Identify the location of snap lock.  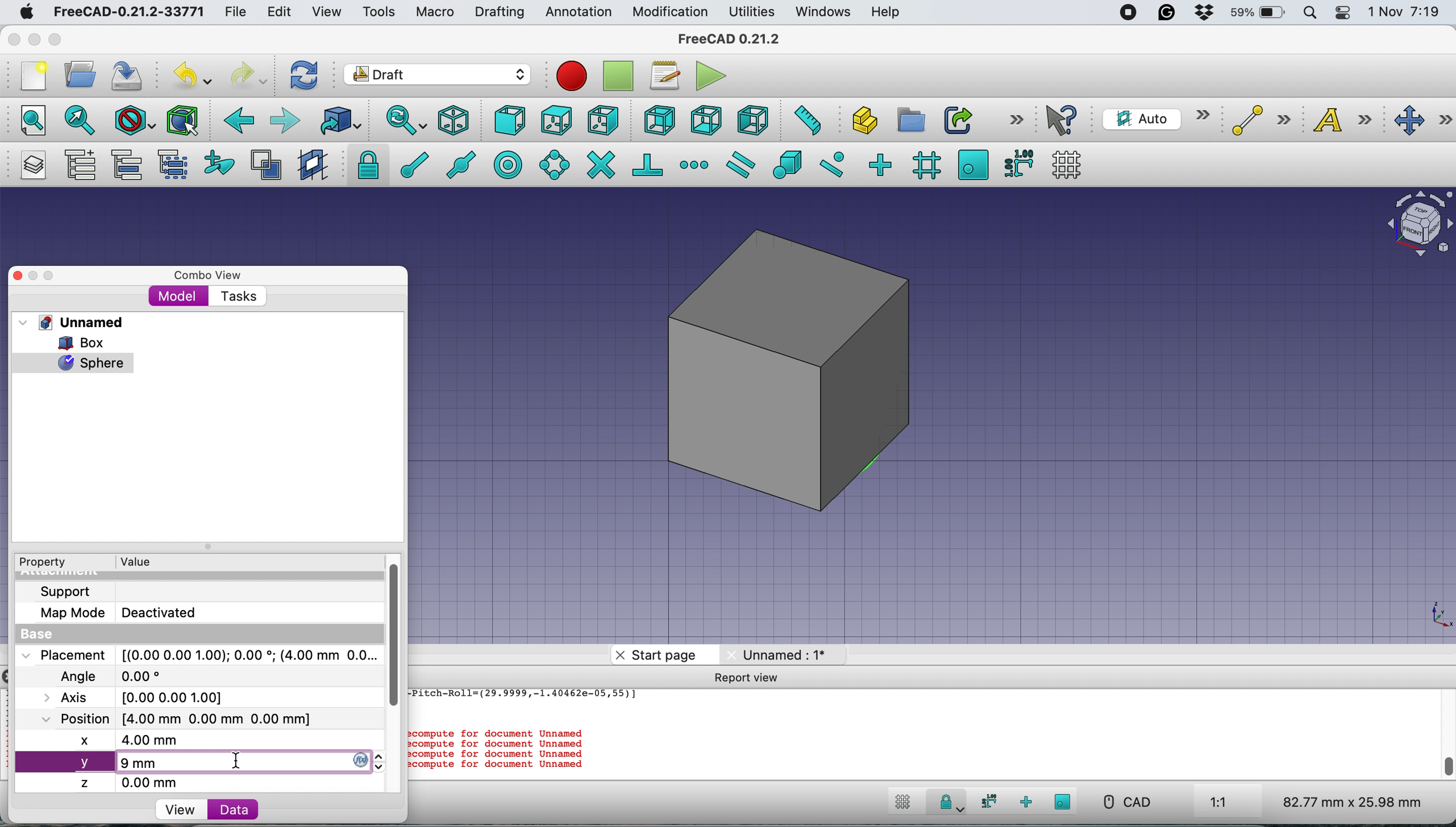
(946, 804).